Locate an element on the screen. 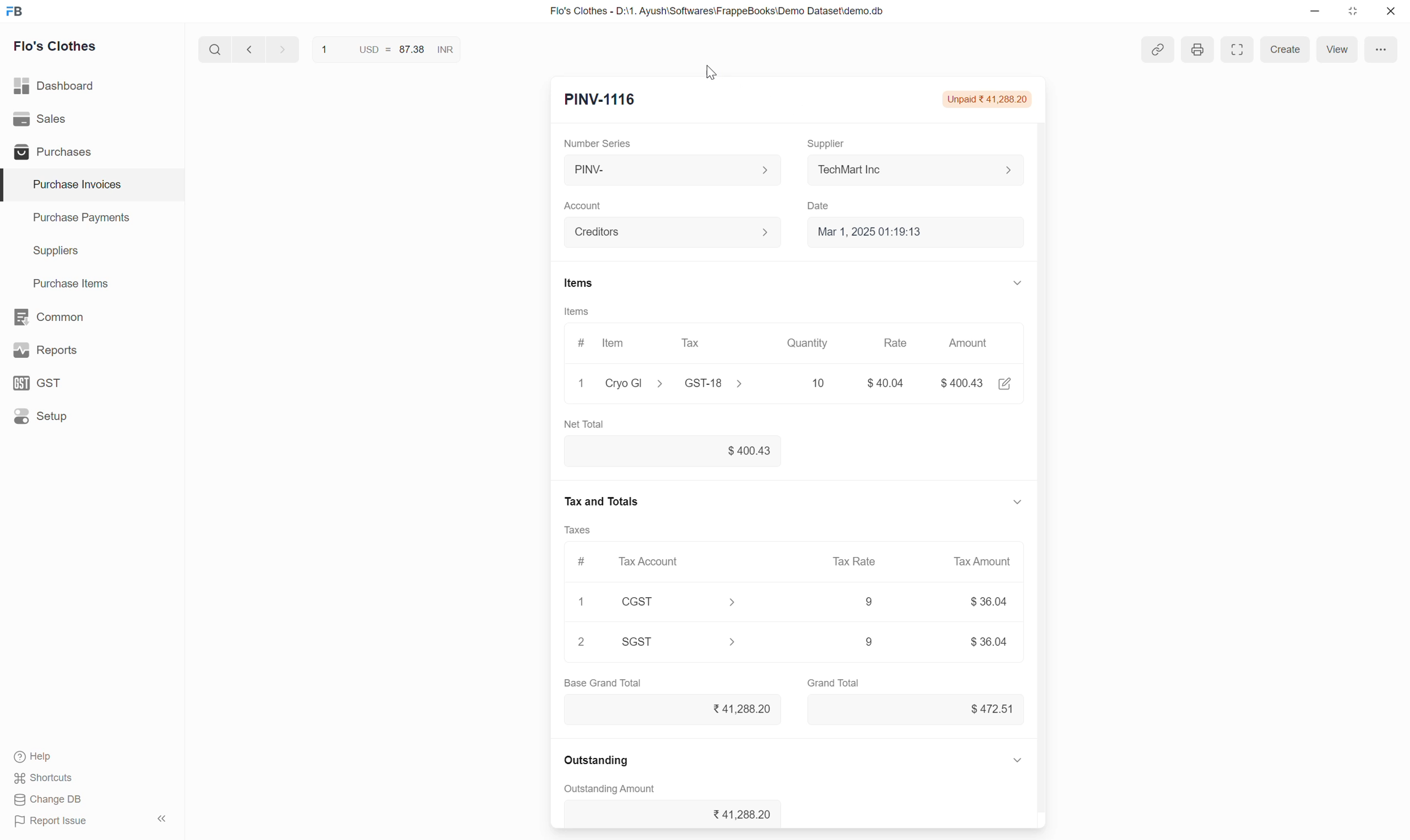 This screenshot has width=1410, height=840. View  is located at coordinates (1334, 49).